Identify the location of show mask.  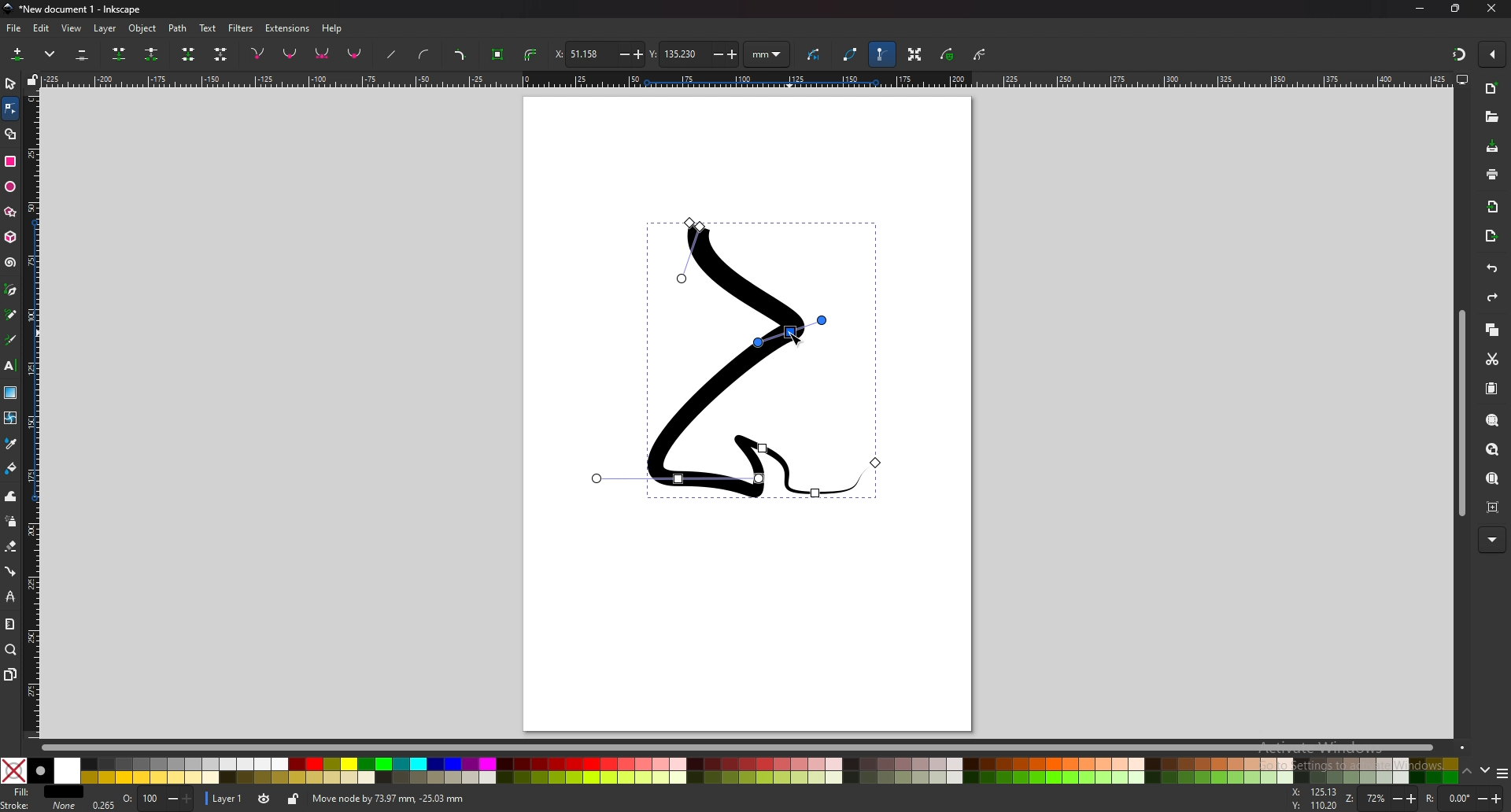
(948, 54).